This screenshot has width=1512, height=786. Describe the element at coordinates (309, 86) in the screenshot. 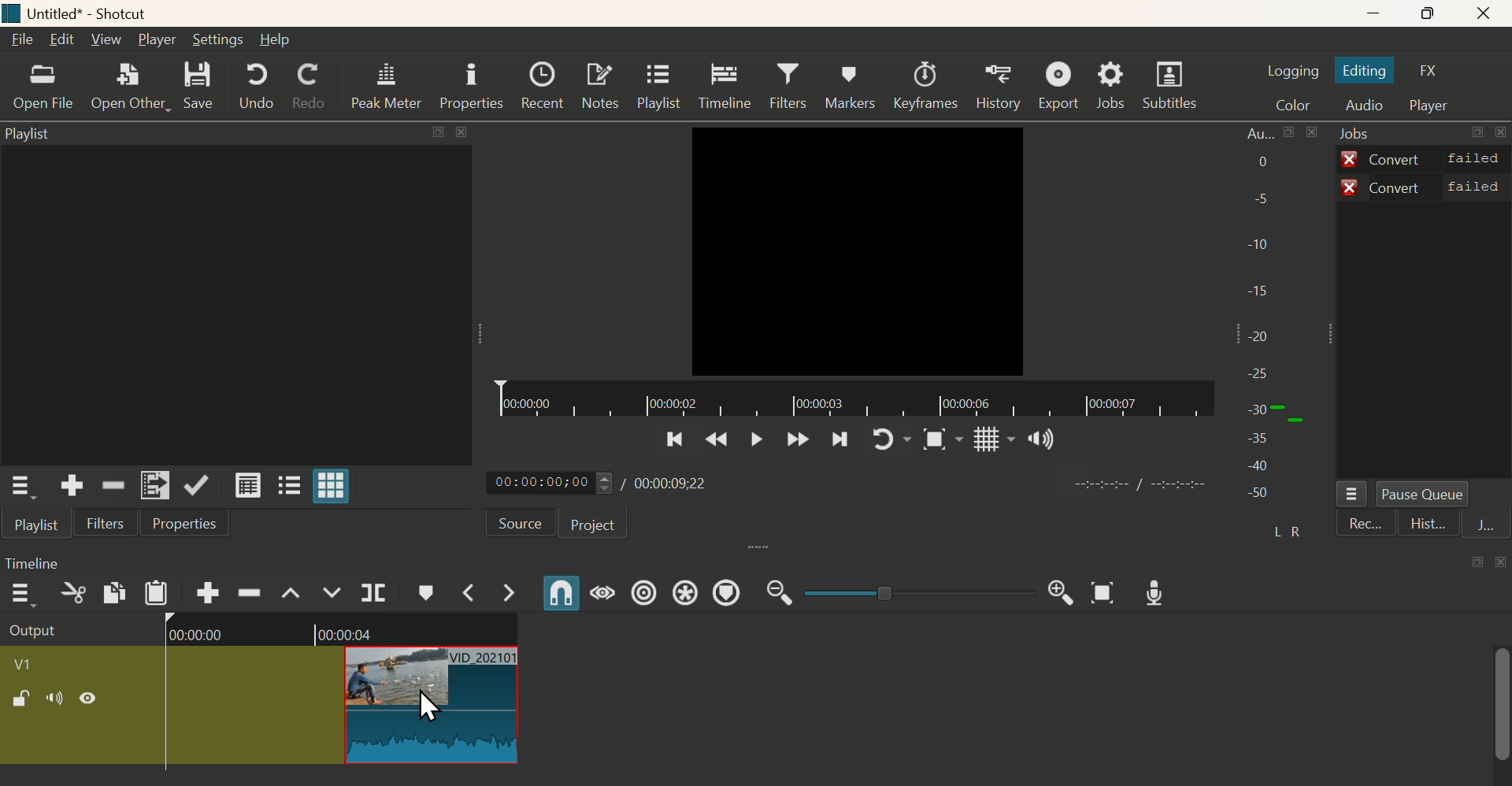

I see `Redo` at that location.